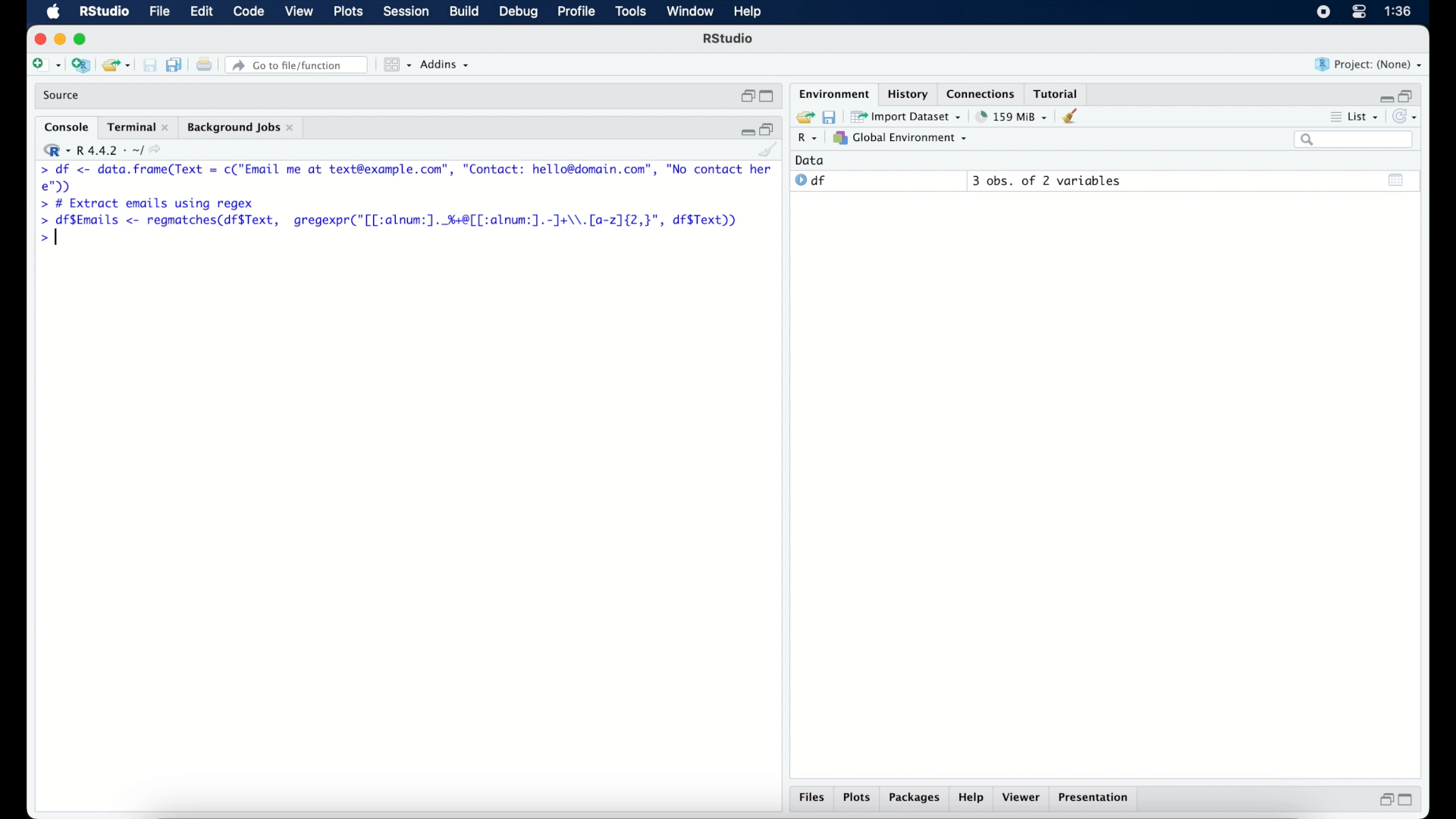 This screenshot has height=819, width=1456. I want to click on help, so click(972, 799).